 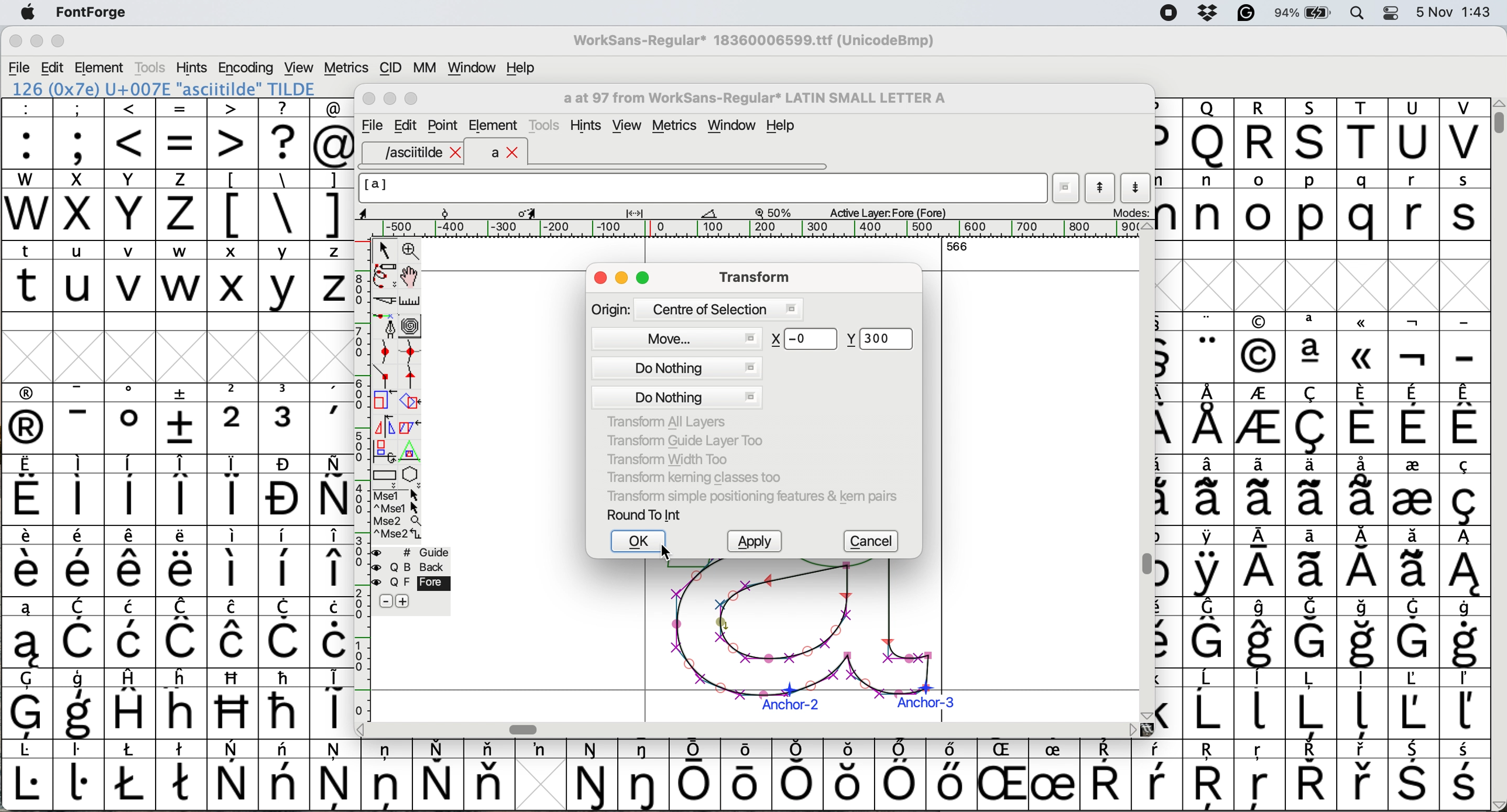 I want to click on symbol, so click(x=82, y=634).